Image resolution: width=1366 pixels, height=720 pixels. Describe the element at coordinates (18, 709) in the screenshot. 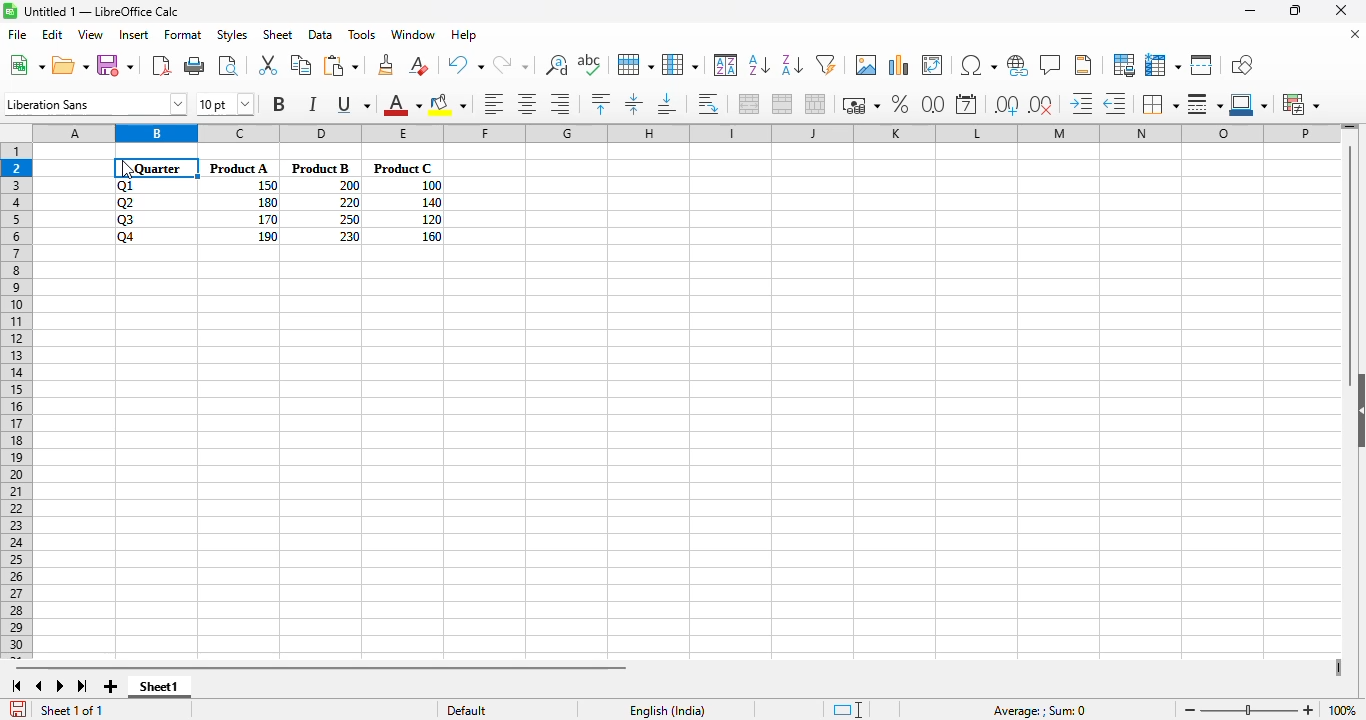

I see `click to save the document` at that location.